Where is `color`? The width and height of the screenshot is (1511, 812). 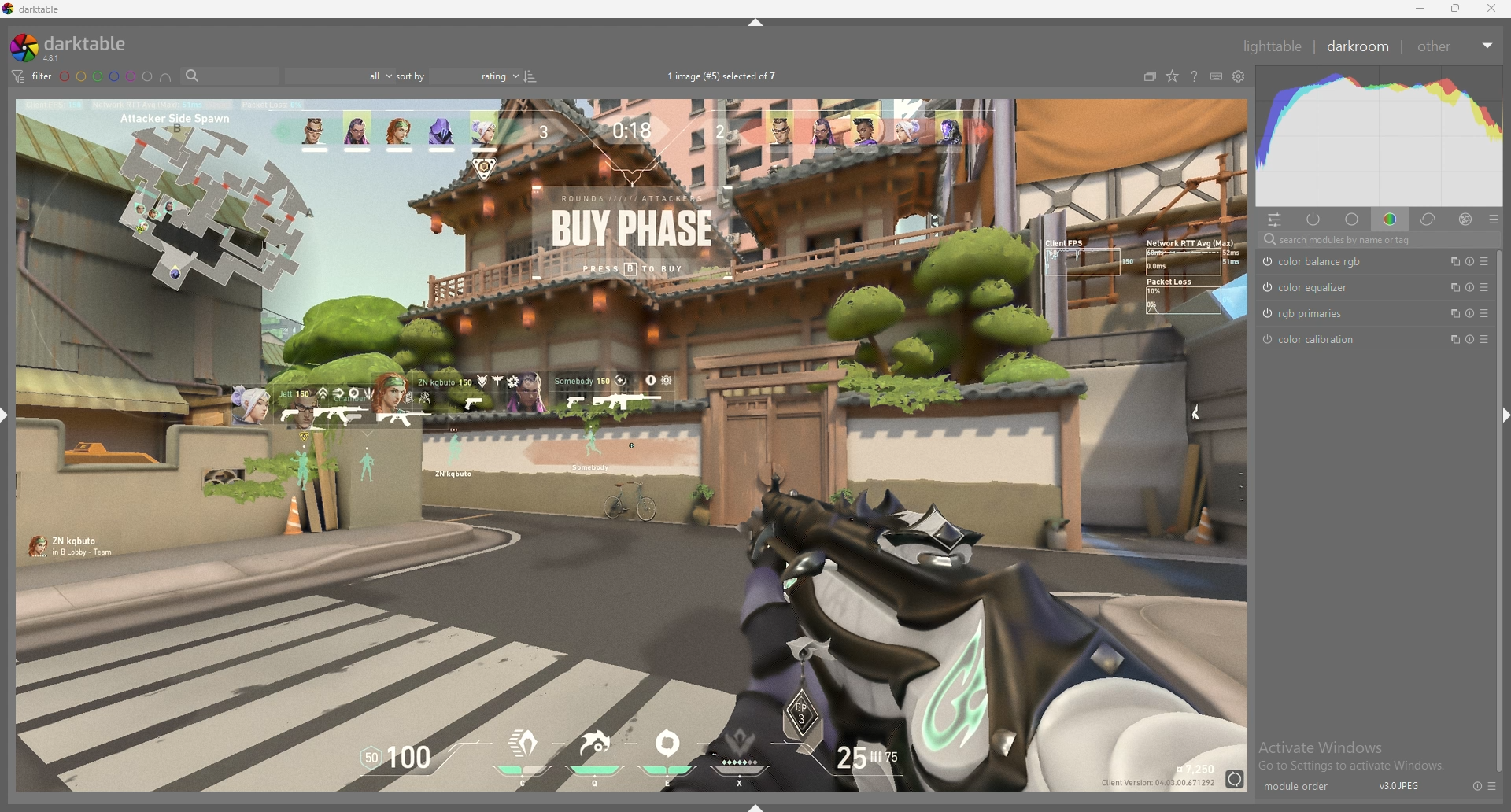 color is located at coordinates (1393, 218).